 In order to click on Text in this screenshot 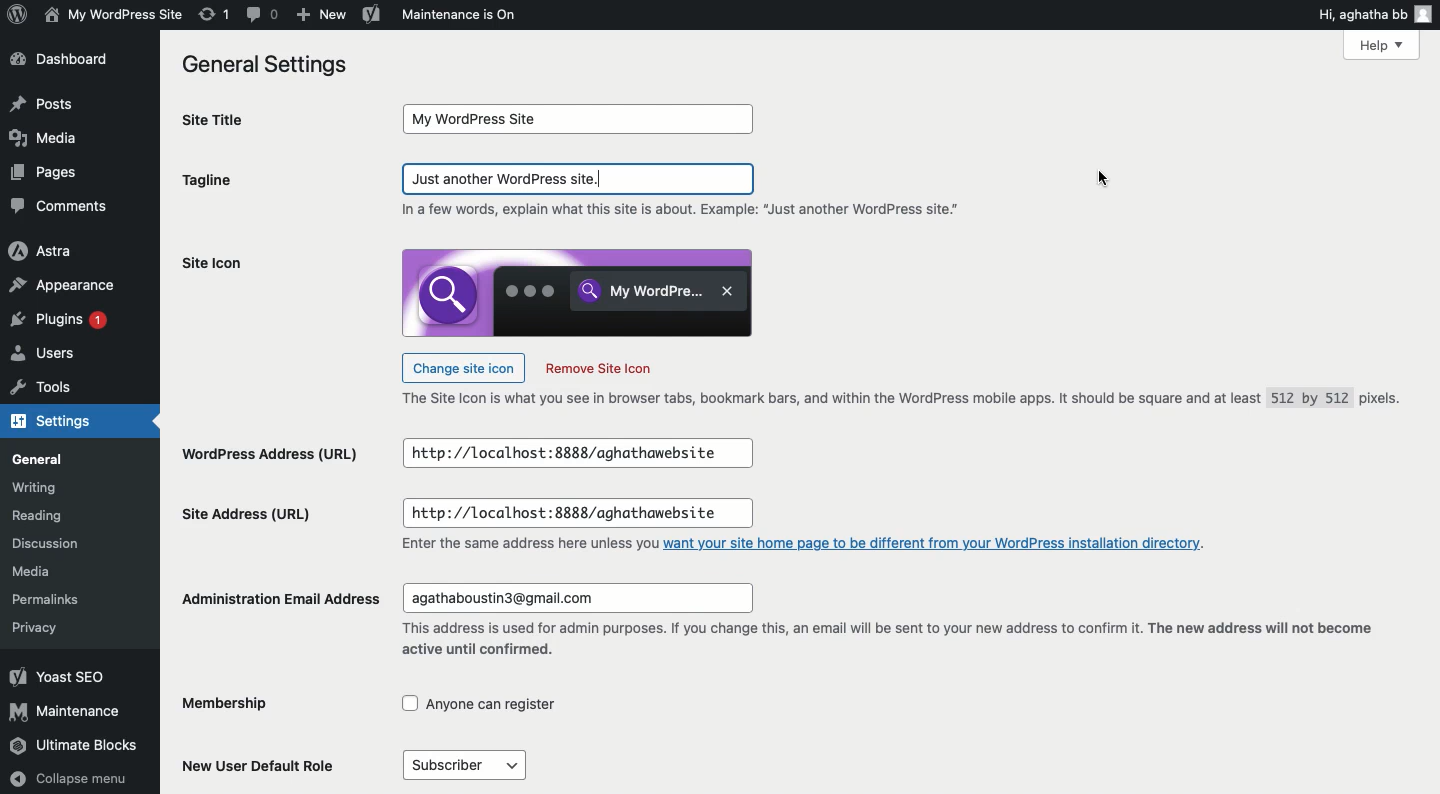, I will do `click(909, 400)`.